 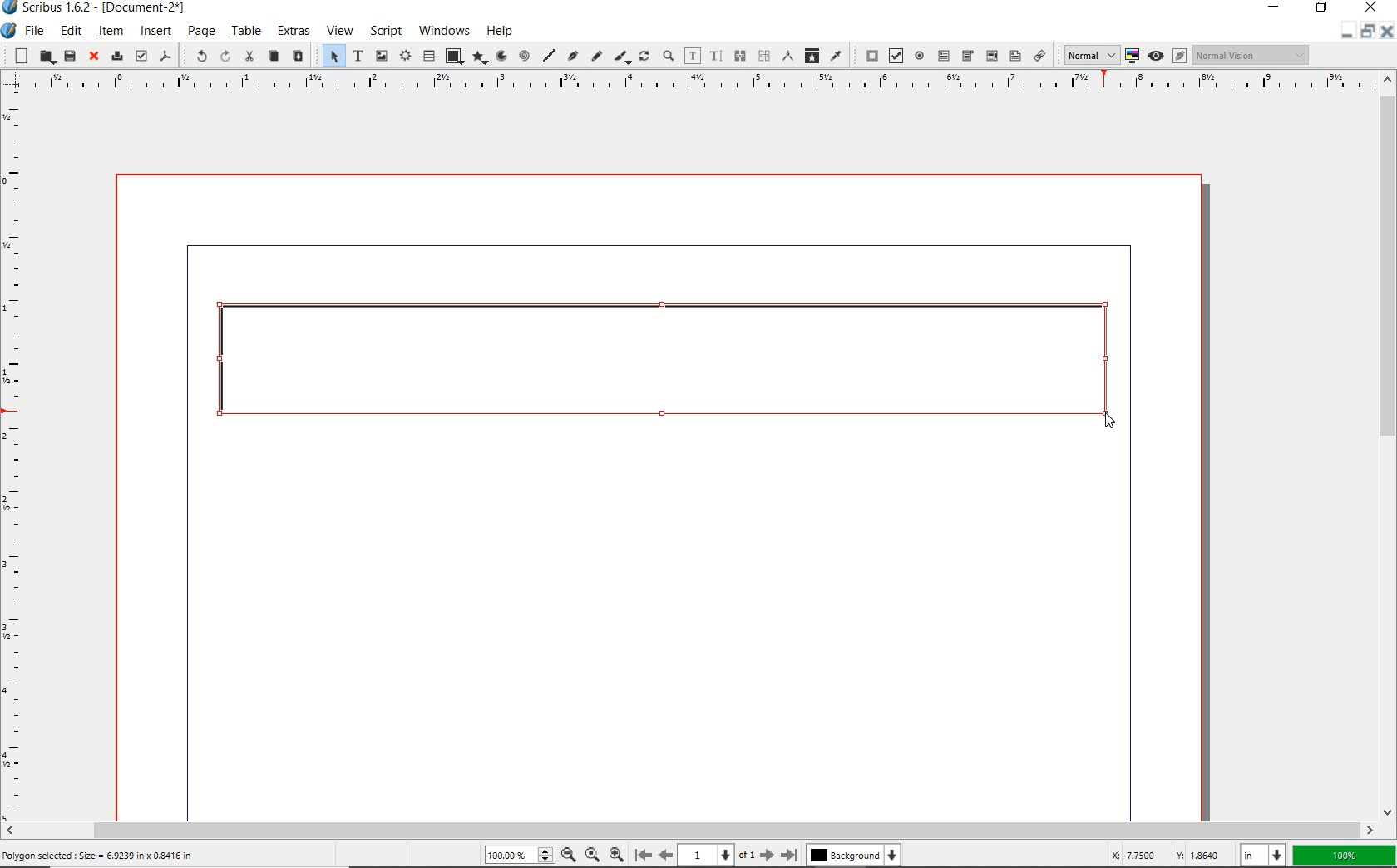 What do you see at coordinates (768, 855) in the screenshot?
I see `move to next` at bounding box center [768, 855].